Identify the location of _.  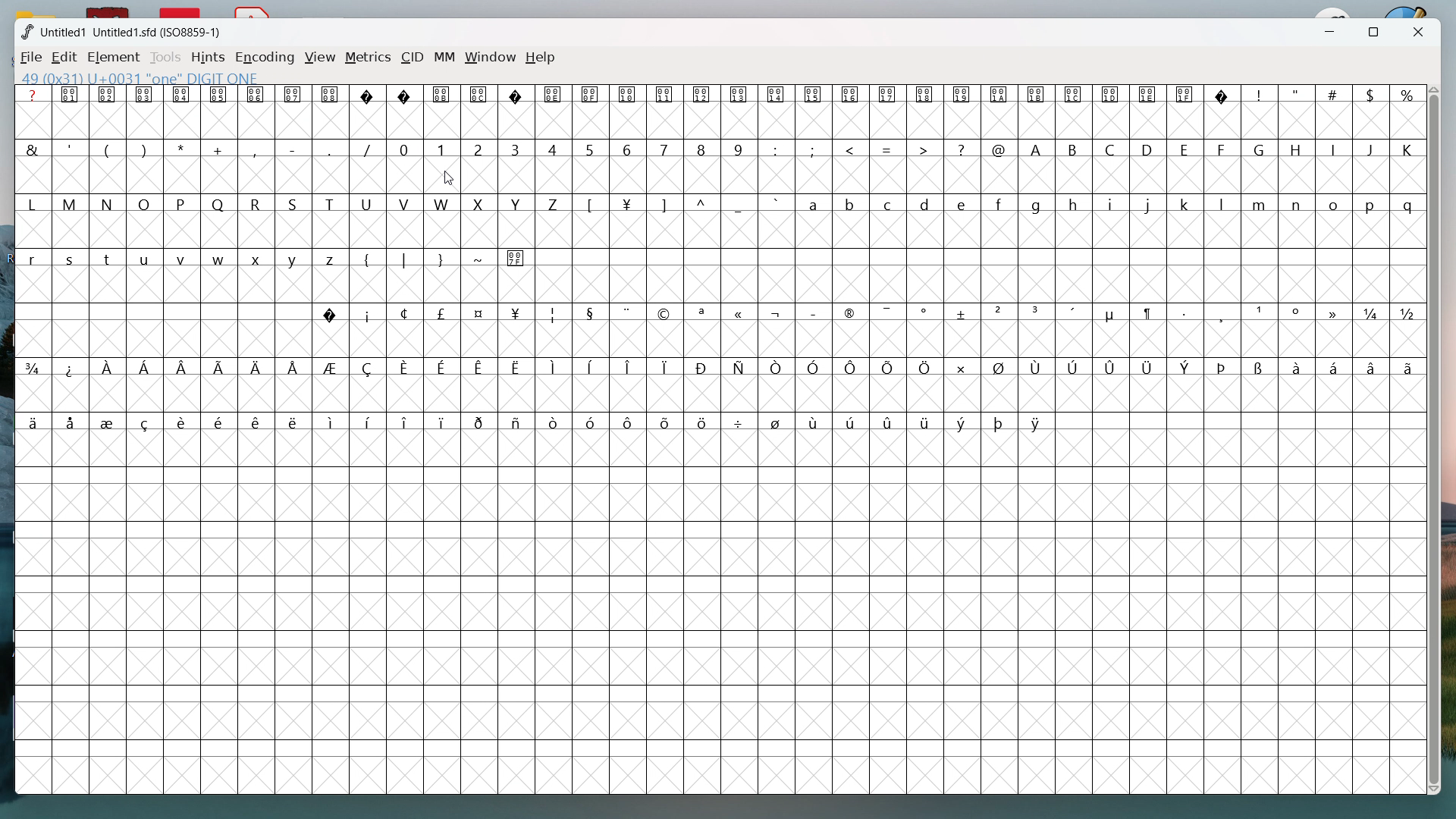
(742, 204).